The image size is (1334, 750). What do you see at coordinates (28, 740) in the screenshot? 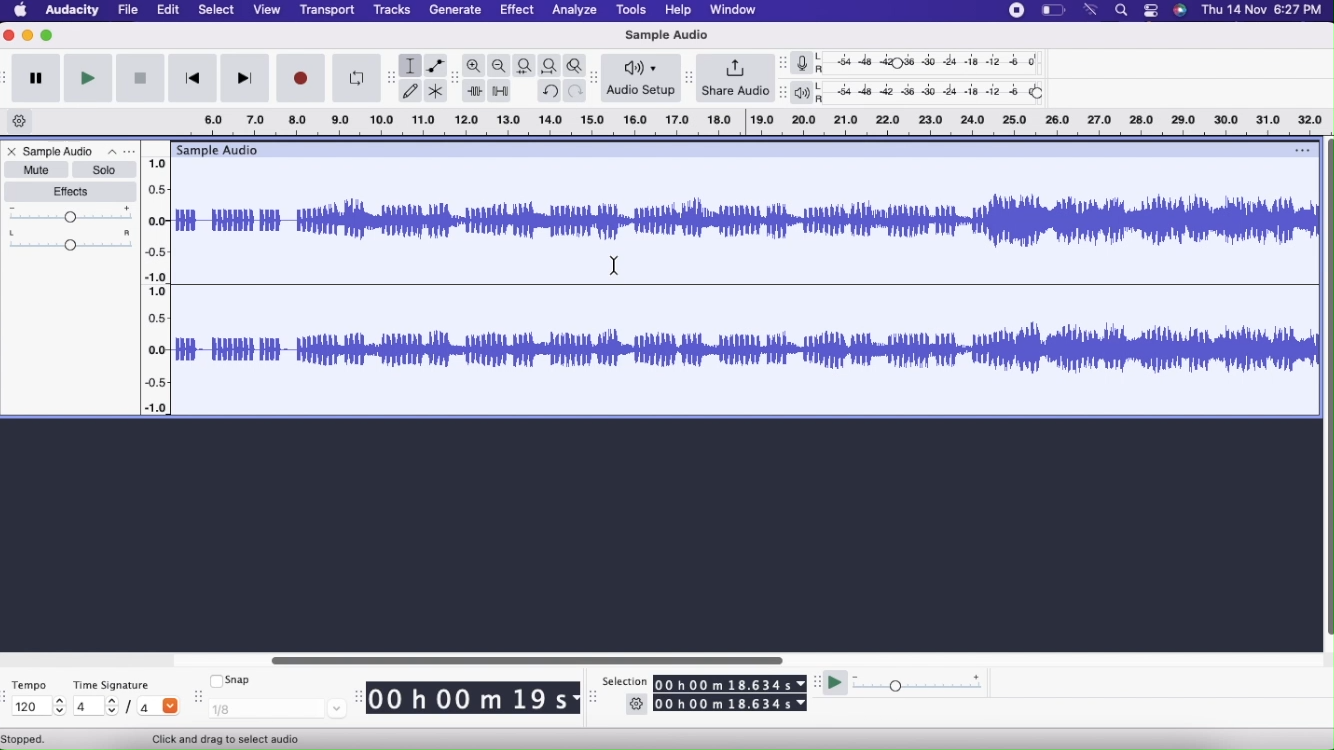
I see `Stopped` at bounding box center [28, 740].